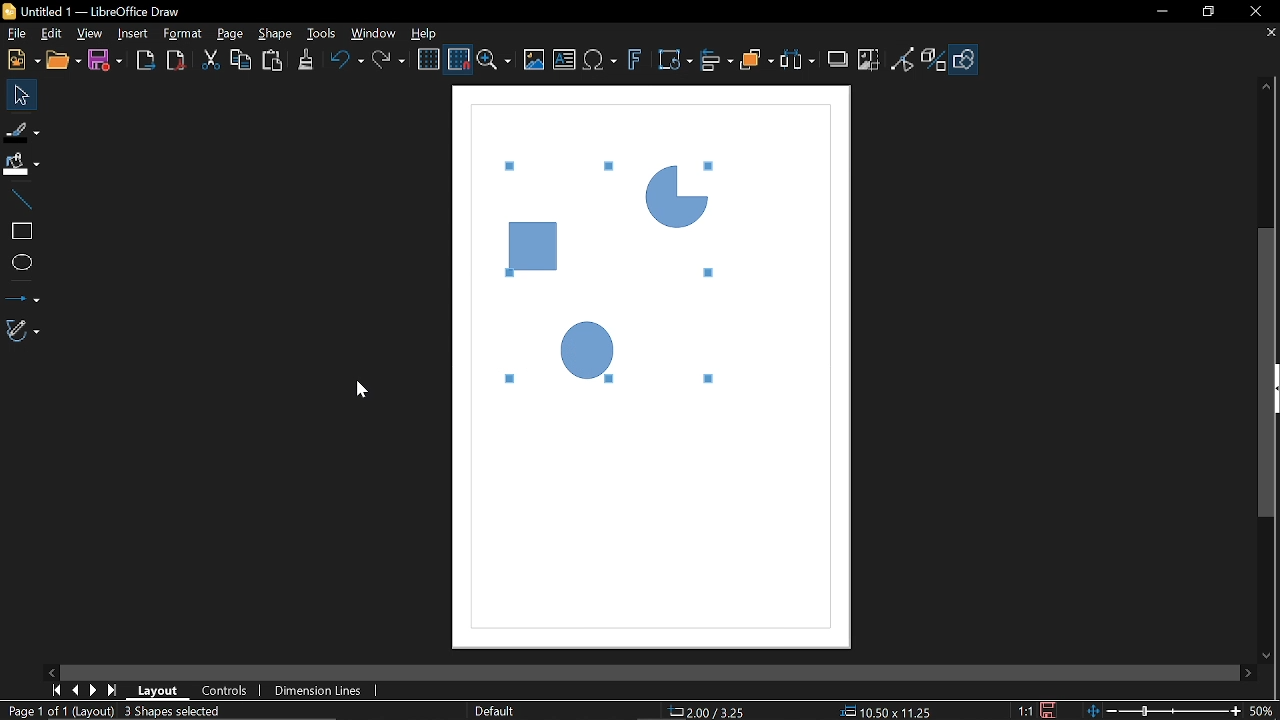 Image resolution: width=1280 pixels, height=720 pixels. I want to click on Current window, so click(96, 11).